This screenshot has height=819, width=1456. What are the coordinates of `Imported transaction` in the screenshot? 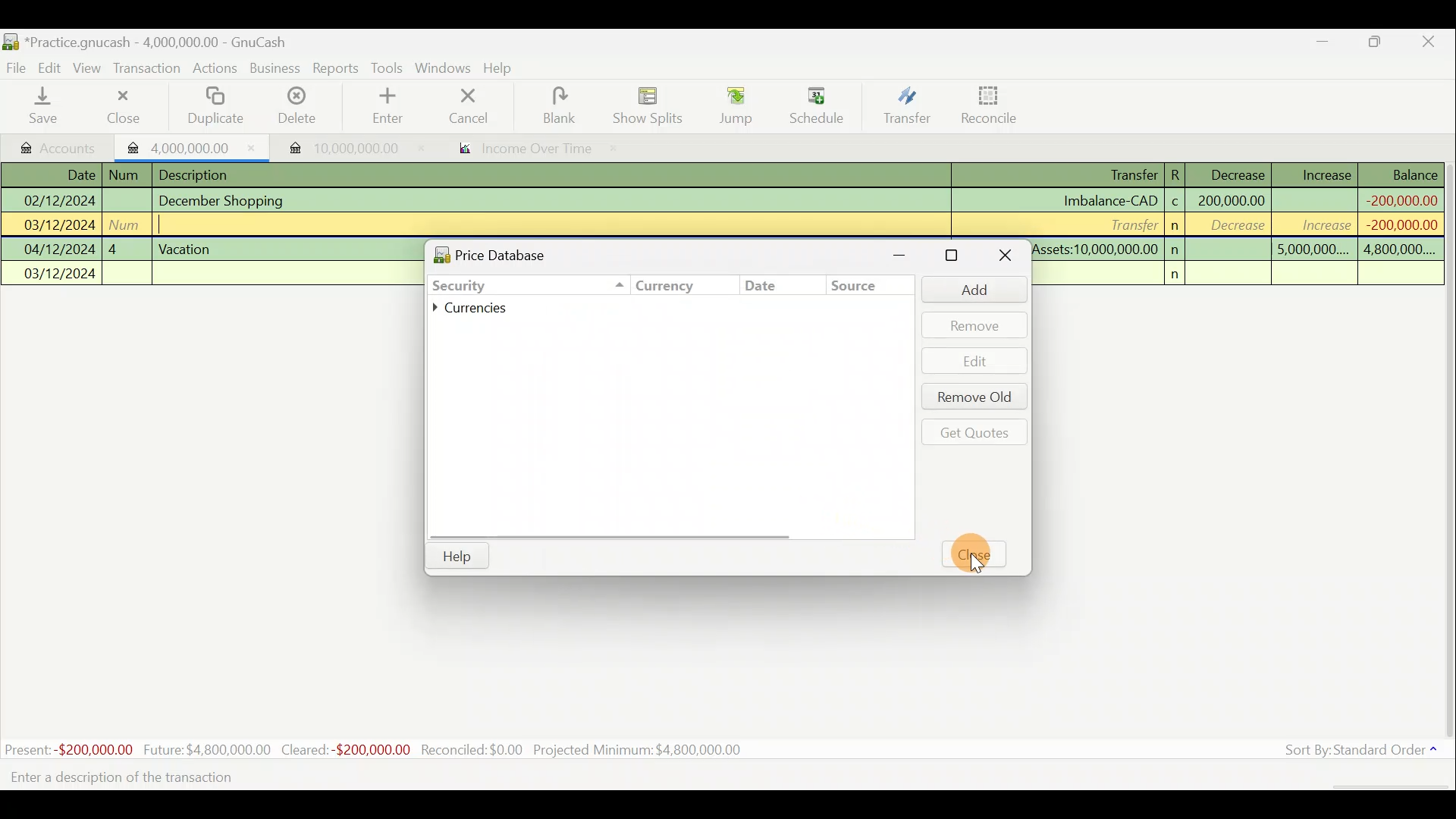 It's located at (334, 144).